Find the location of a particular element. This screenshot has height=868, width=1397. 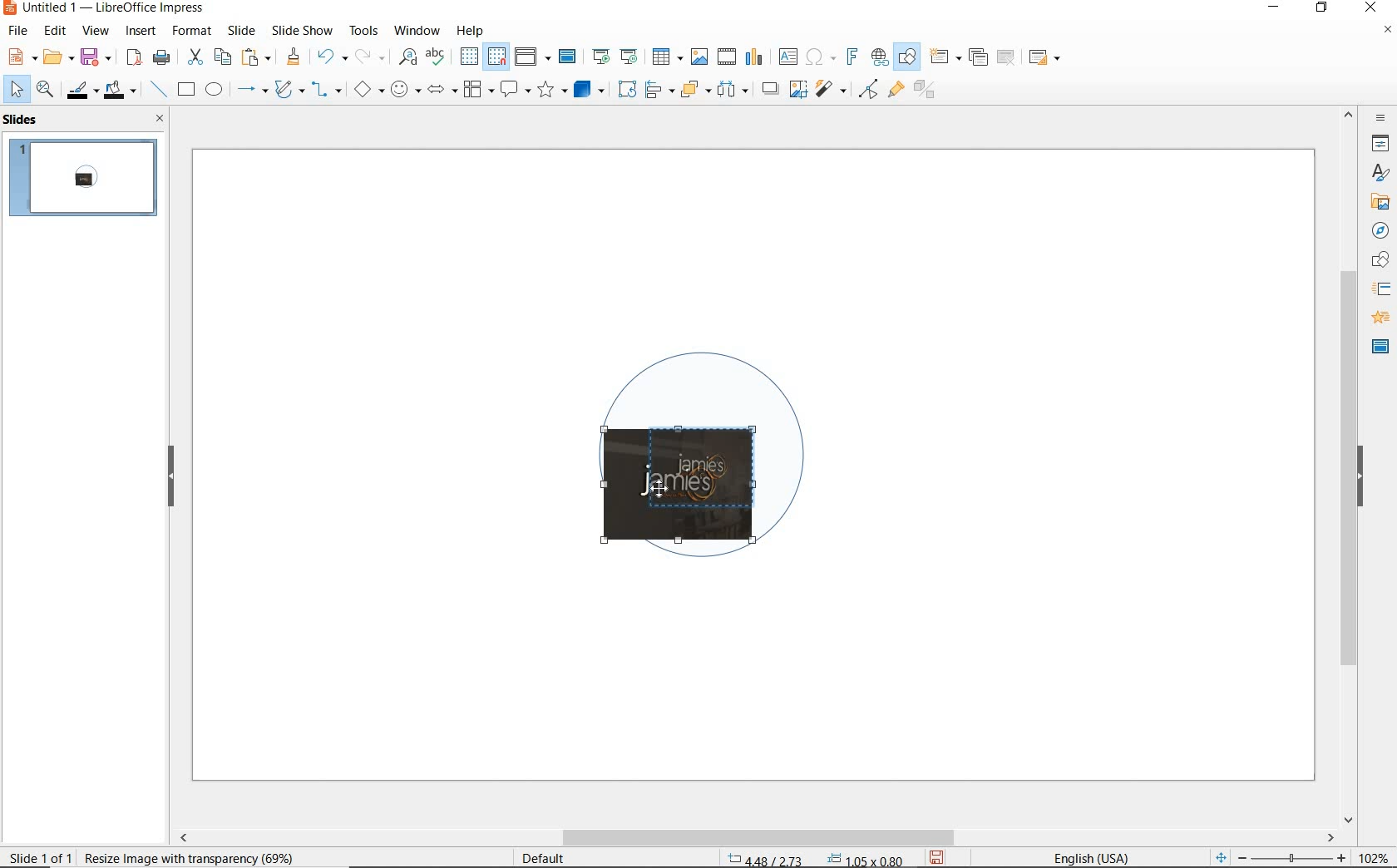

fill color is located at coordinates (122, 91).